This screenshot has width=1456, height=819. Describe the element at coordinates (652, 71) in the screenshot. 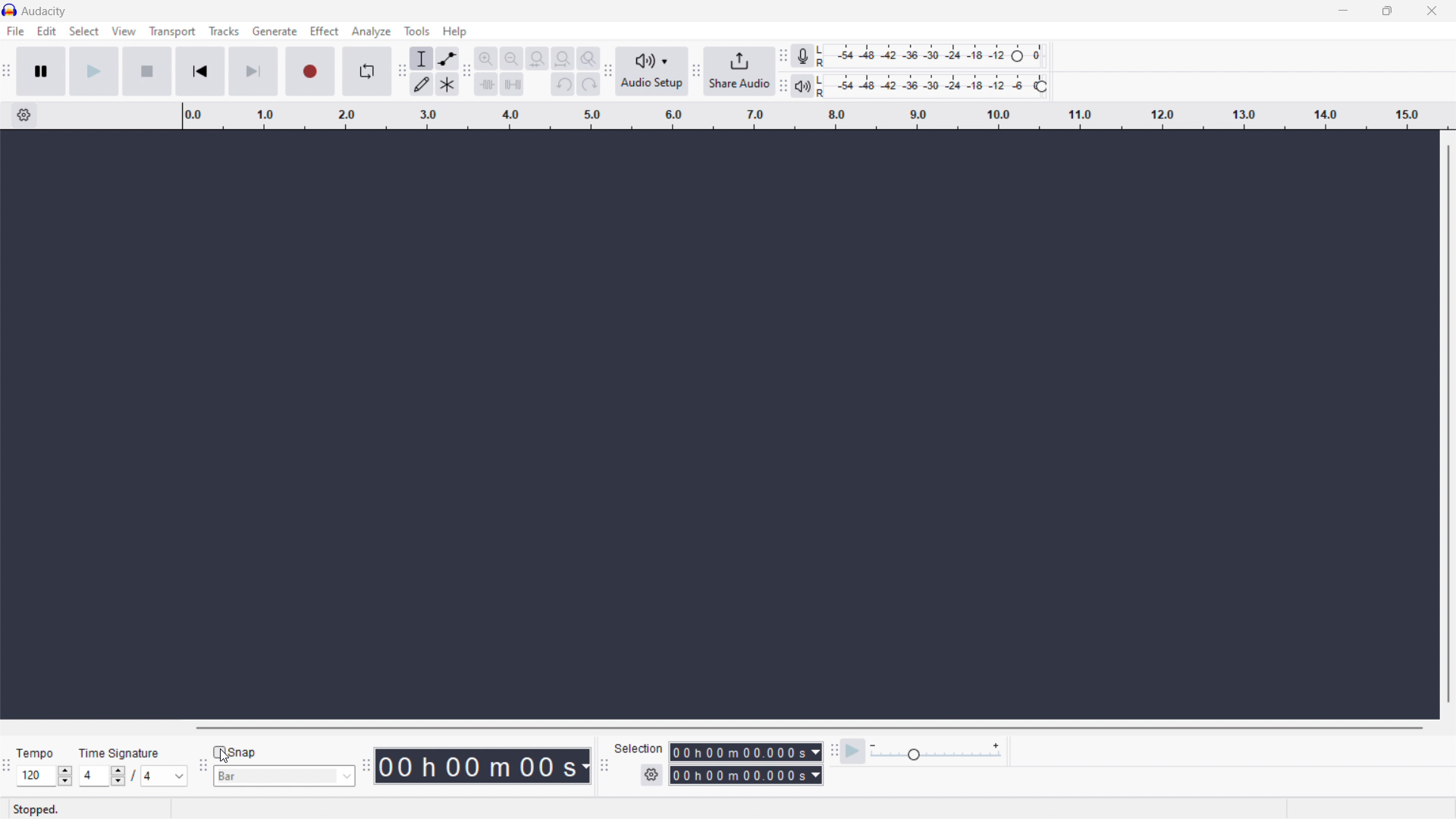

I see `Audio setup` at that location.